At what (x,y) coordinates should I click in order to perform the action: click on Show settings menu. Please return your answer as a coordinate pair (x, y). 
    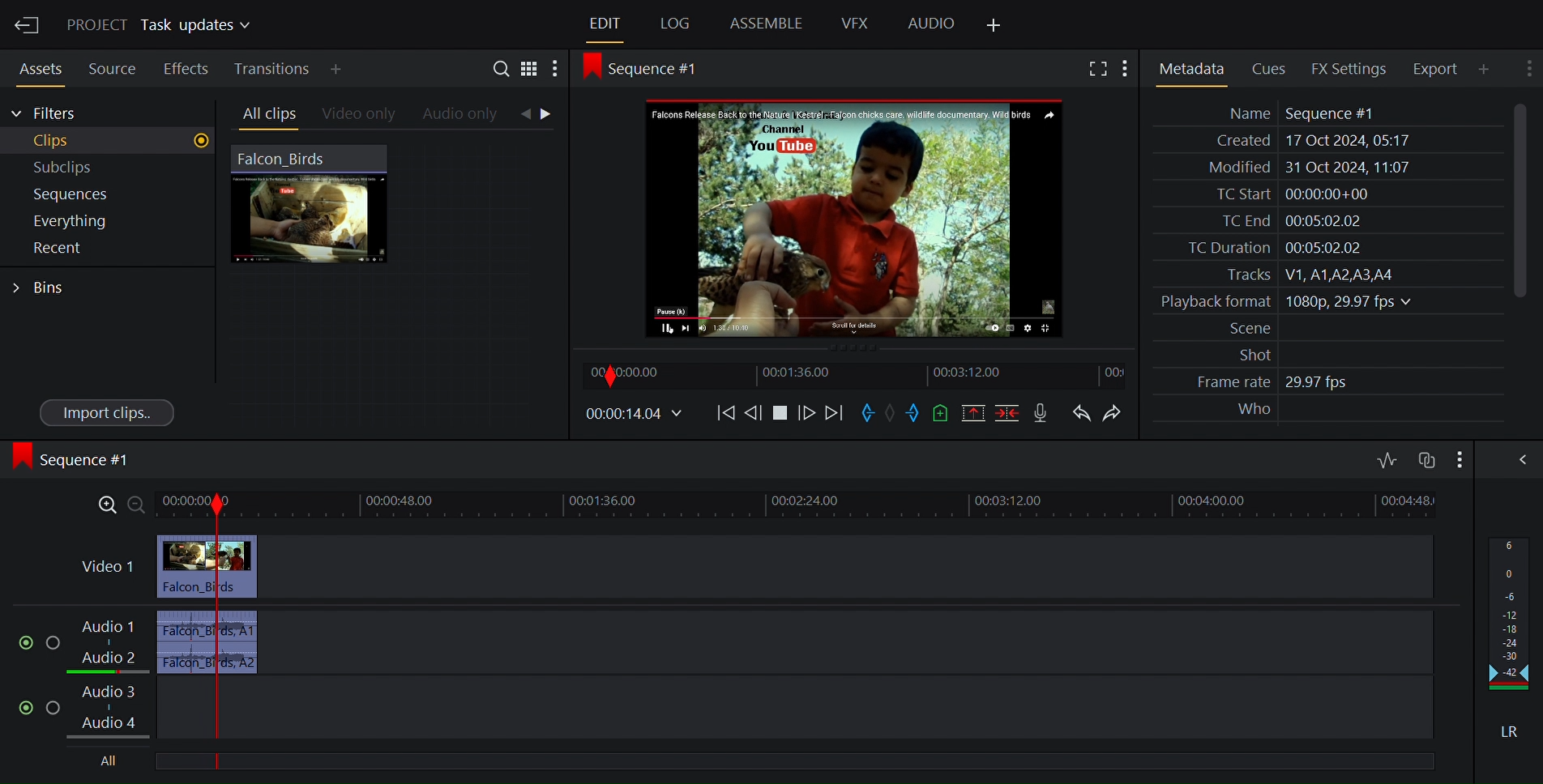
    Looking at the image, I should click on (557, 67).